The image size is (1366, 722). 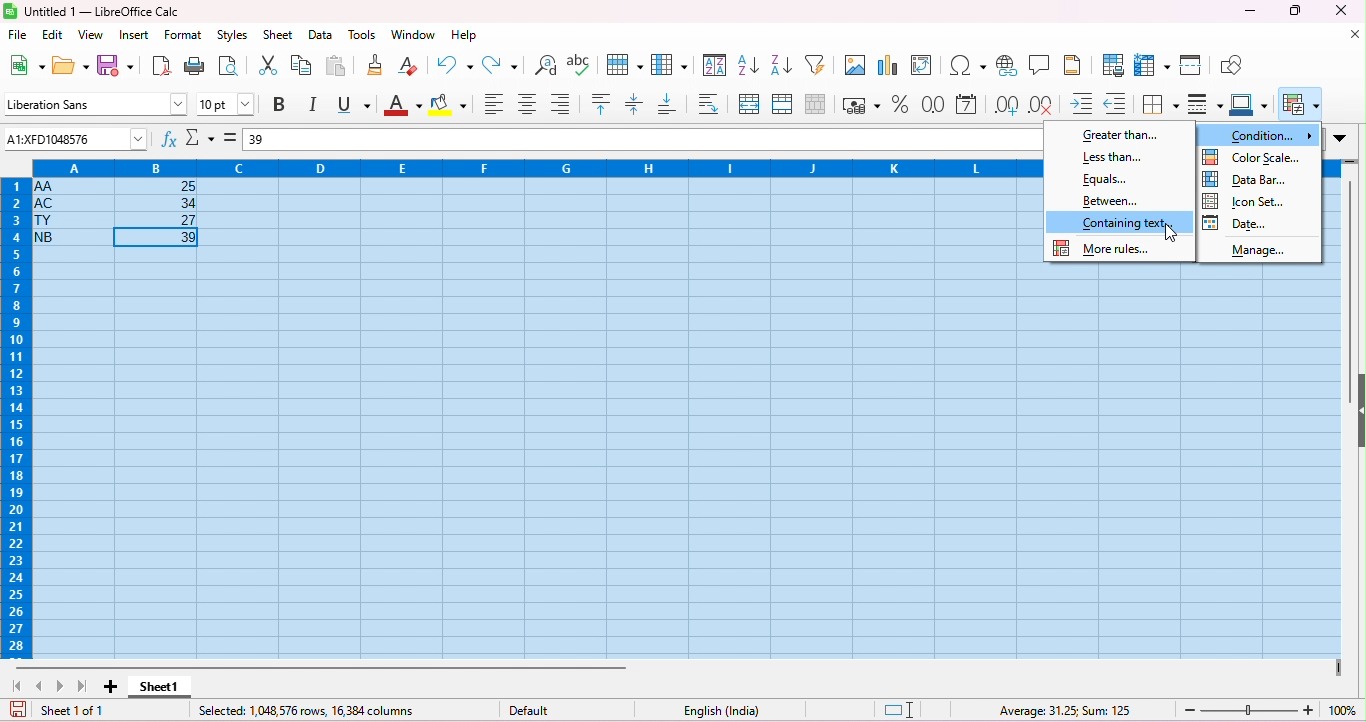 What do you see at coordinates (301, 65) in the screenshot?
I see `copy` at bounding box center [301, 65].